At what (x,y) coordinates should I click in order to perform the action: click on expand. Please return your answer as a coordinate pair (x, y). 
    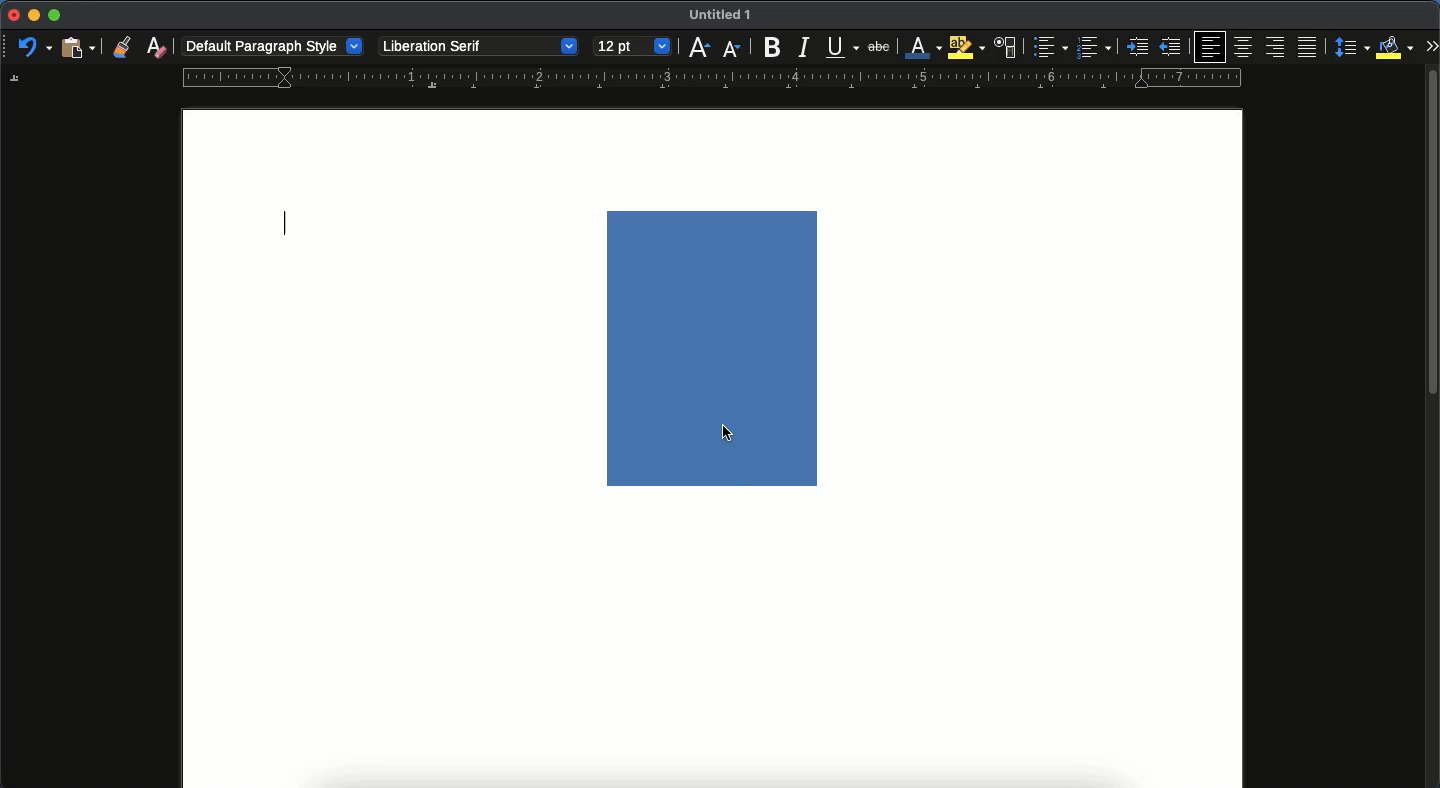
    Looking at the image, I should click on (1431, 45).